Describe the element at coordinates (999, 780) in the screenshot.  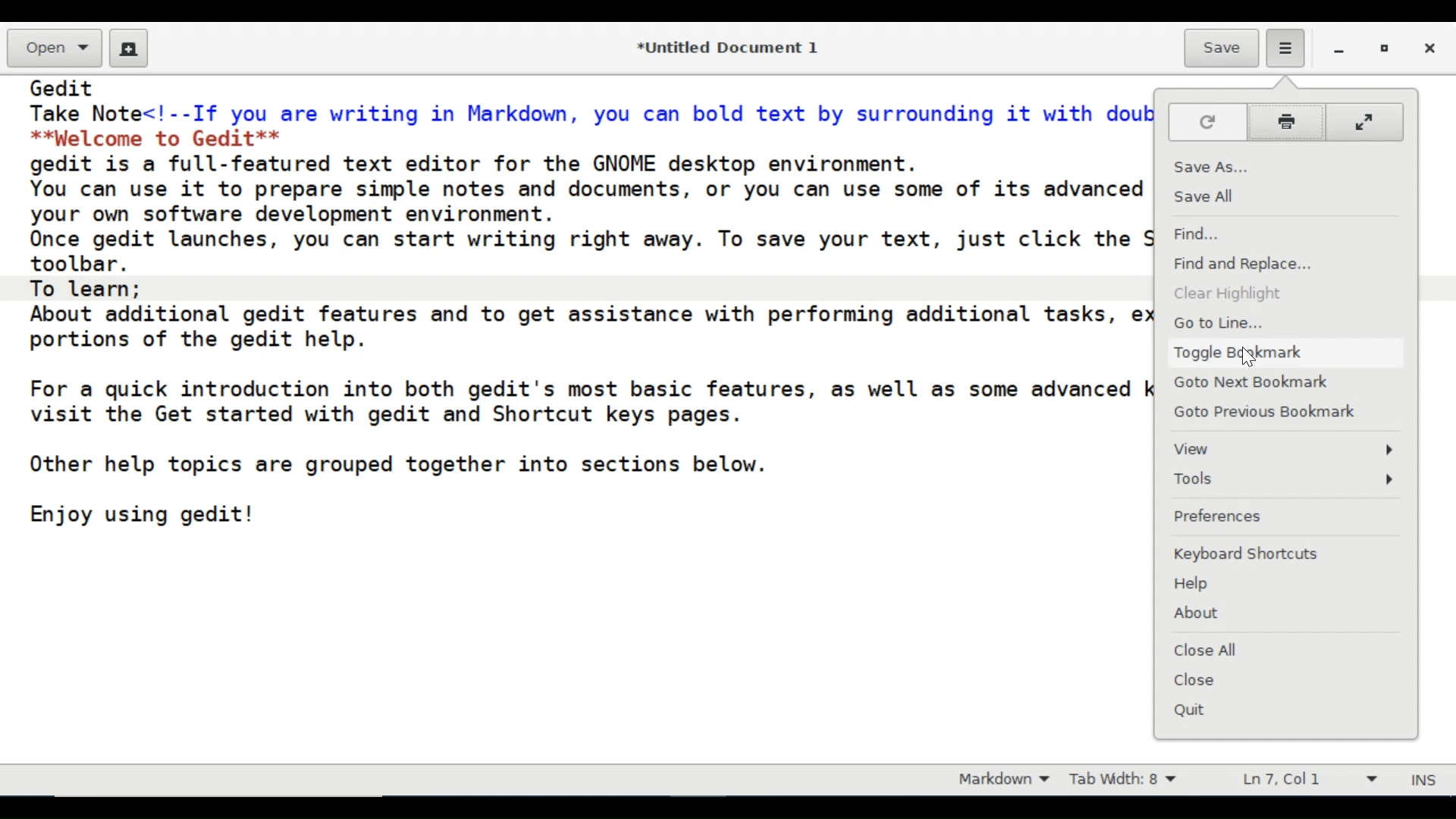
I see `Markdown` at that location.